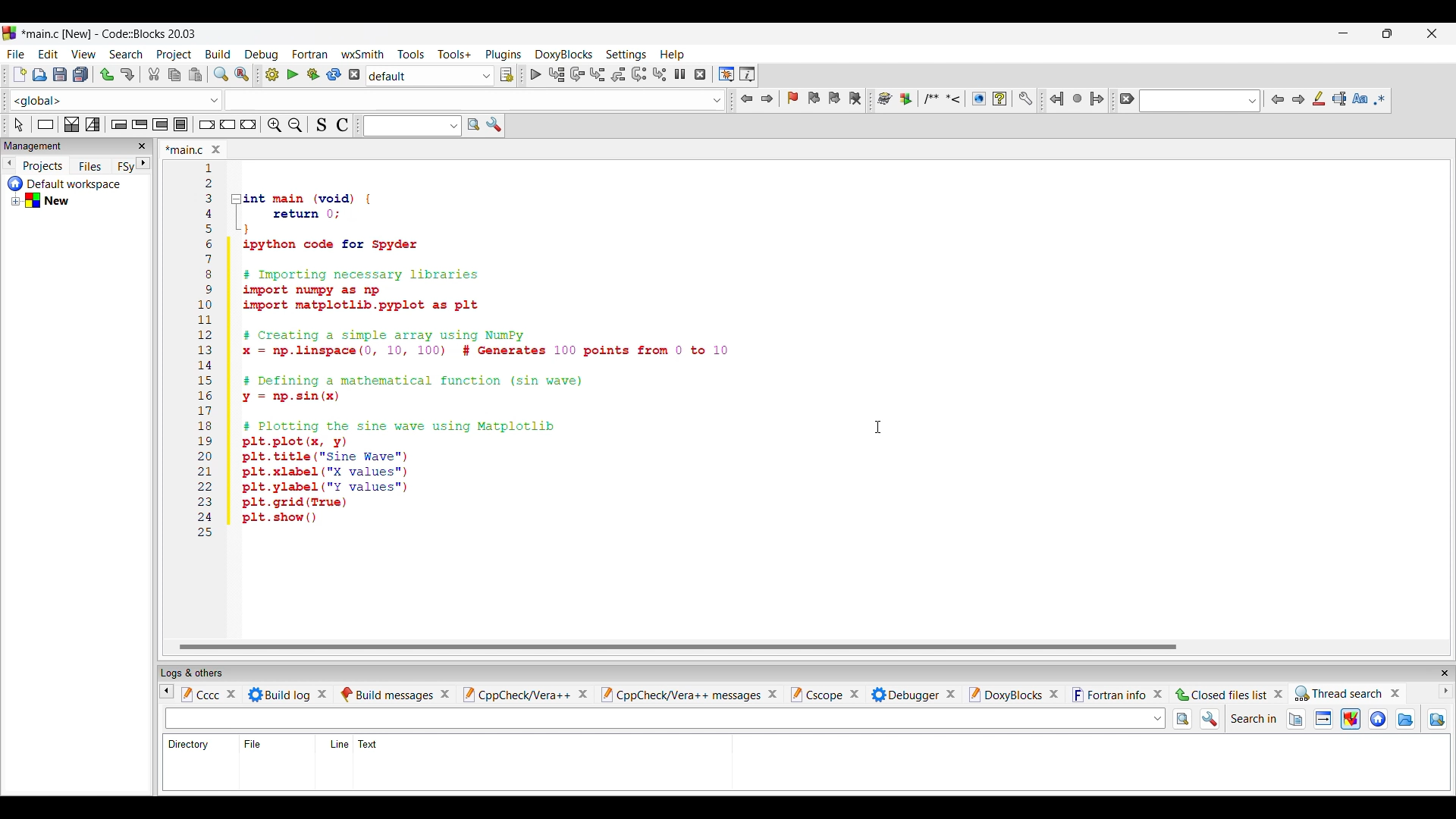 This screenshot has height=819, width=1456. I want to click on Text box and text options, so click(44, 124).